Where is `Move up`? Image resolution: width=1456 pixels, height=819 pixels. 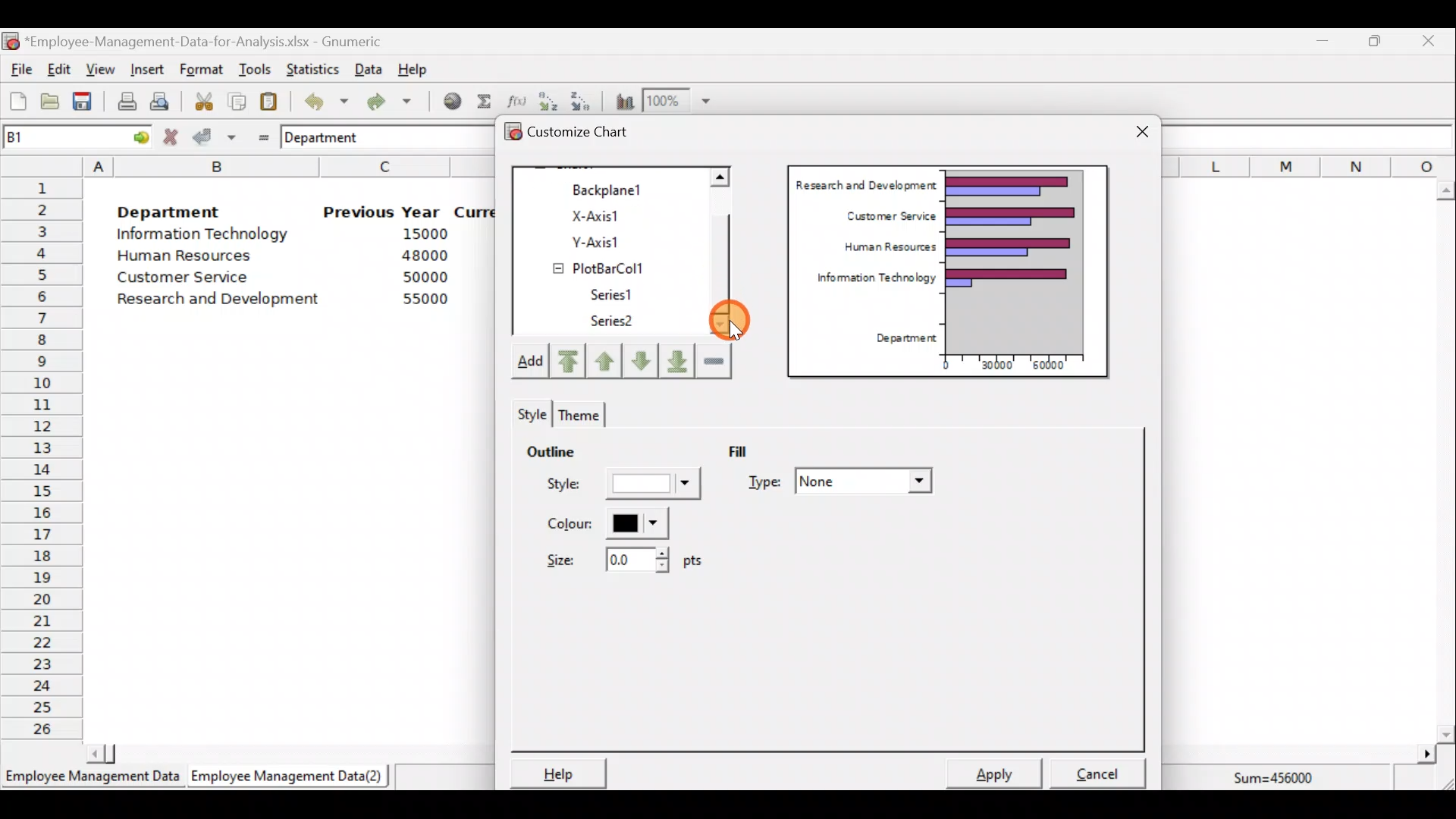 Move up is located at coordinates (604, 359).